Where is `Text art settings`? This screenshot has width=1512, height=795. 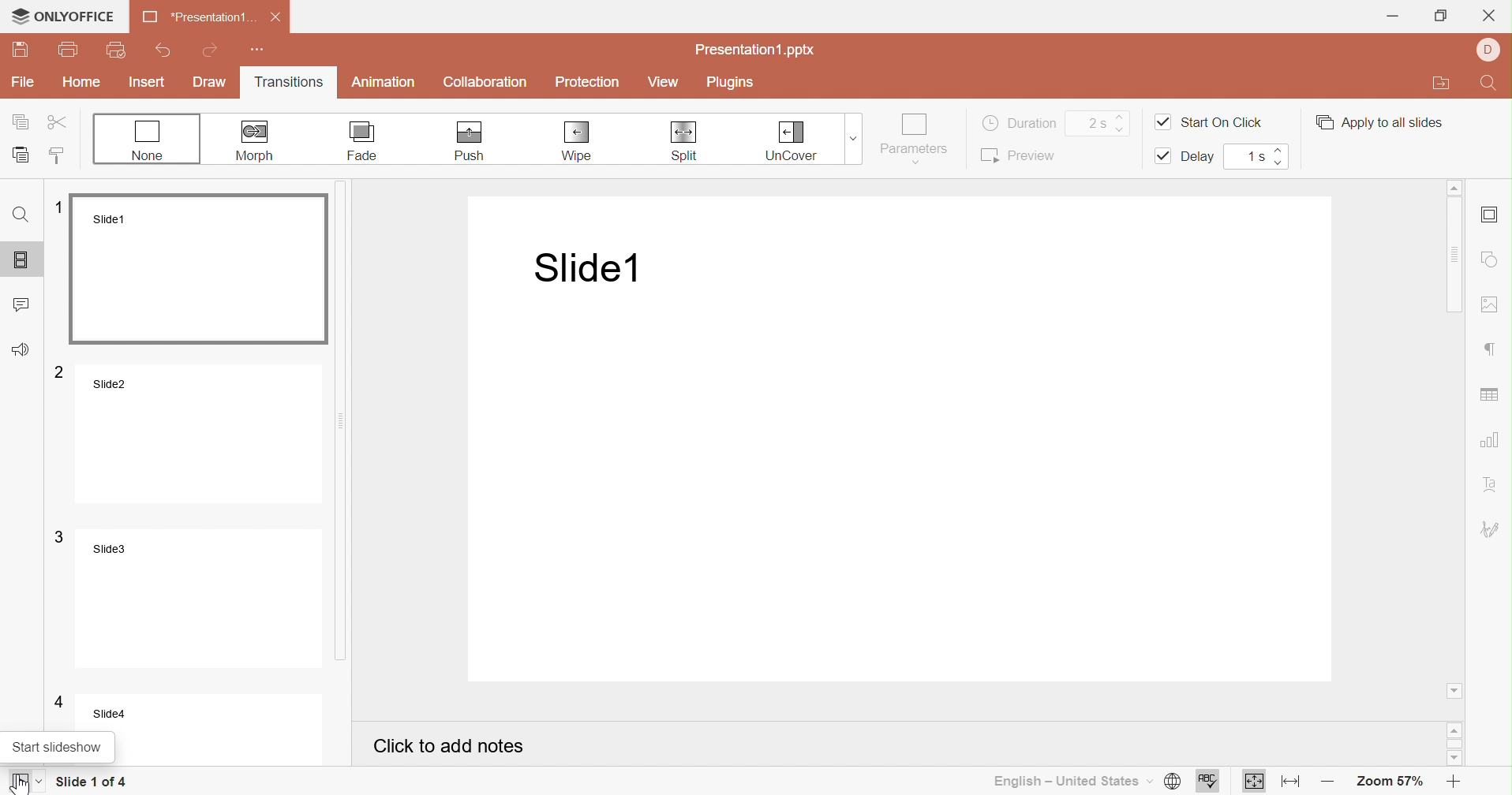 Text art settings is located at coordinates (1493, 484).